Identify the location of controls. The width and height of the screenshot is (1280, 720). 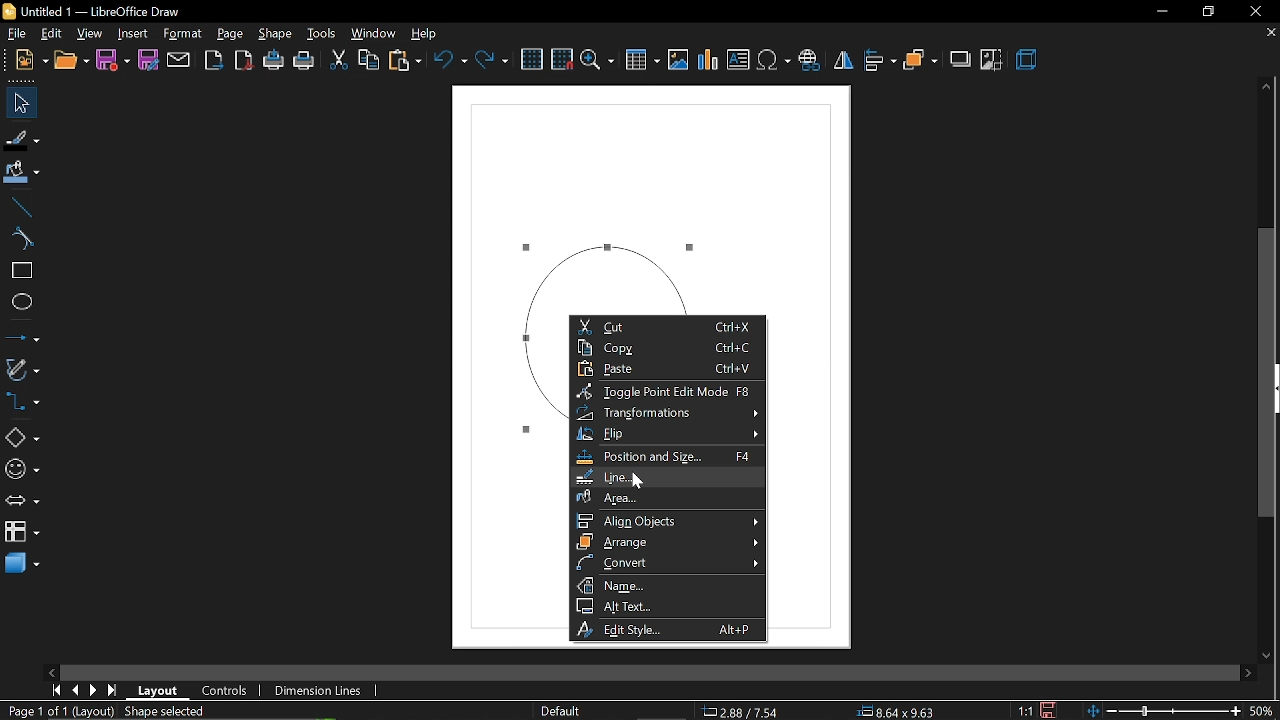
(223, 690).